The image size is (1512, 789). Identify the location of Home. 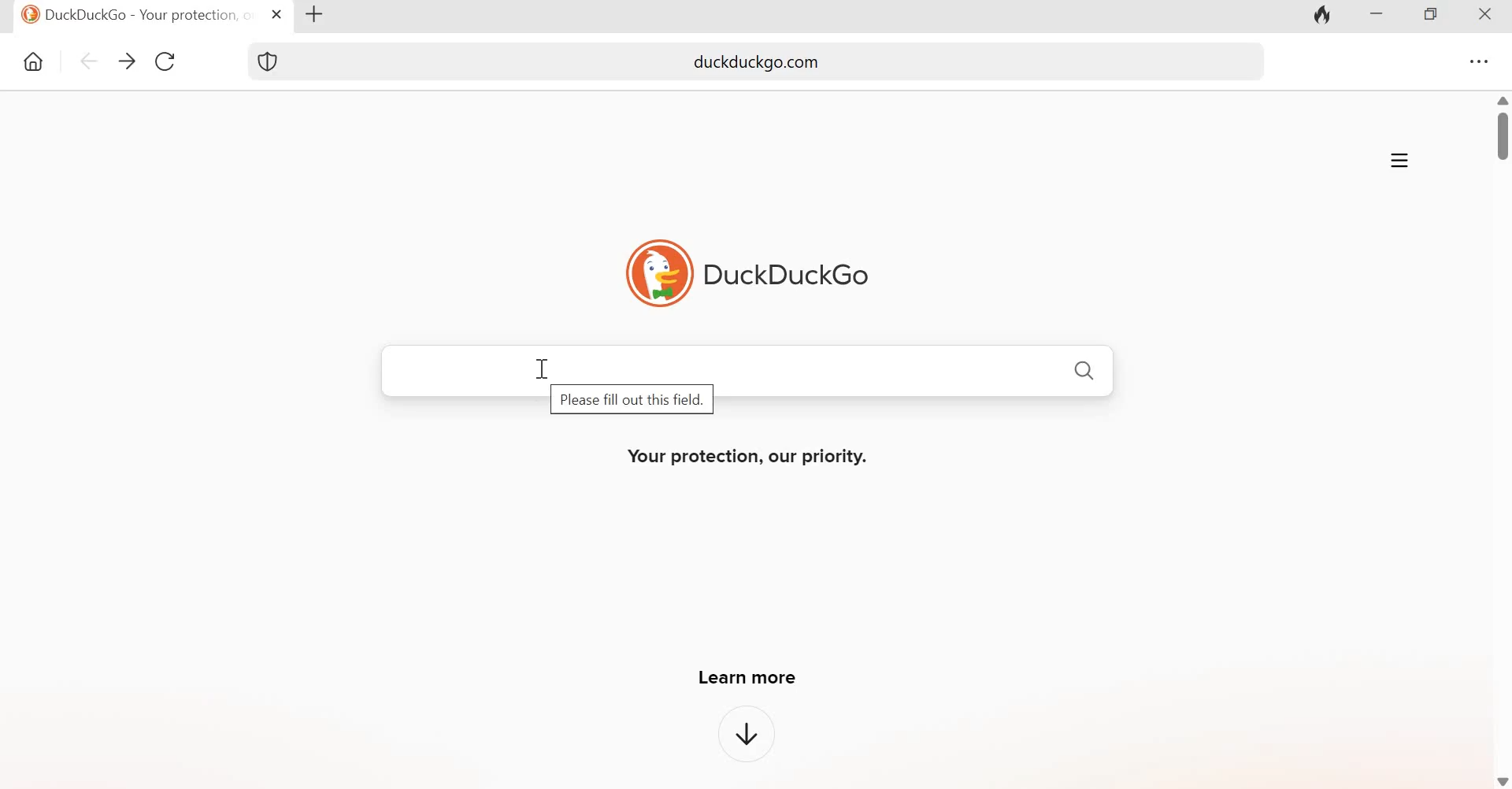
(31, 61).